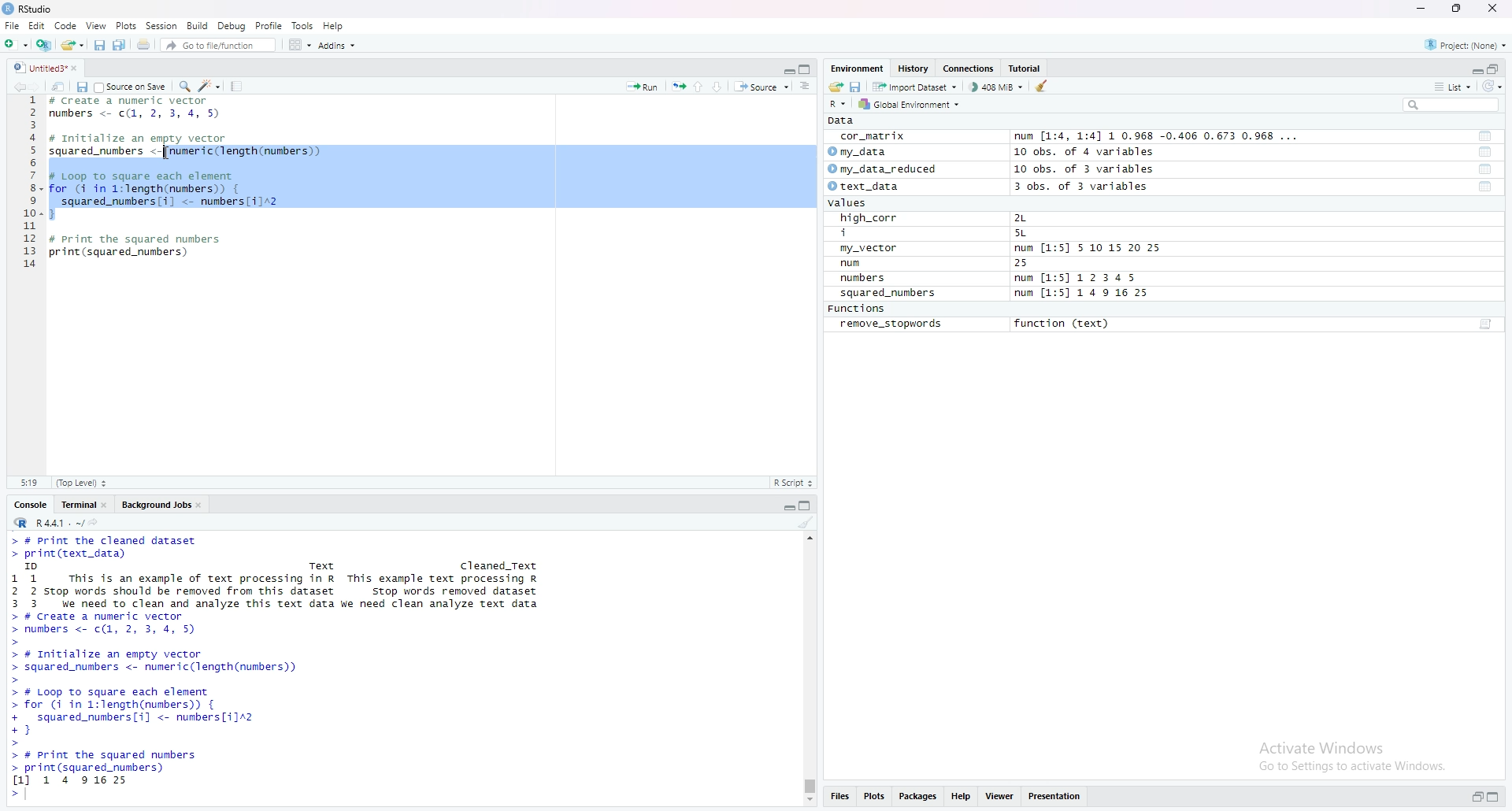 The height and width of the screenshot is (811, 1512). What do you see at coordinates (865, 187) in the screenshot?
I see `© text_data` at bounding box center [865, 187].